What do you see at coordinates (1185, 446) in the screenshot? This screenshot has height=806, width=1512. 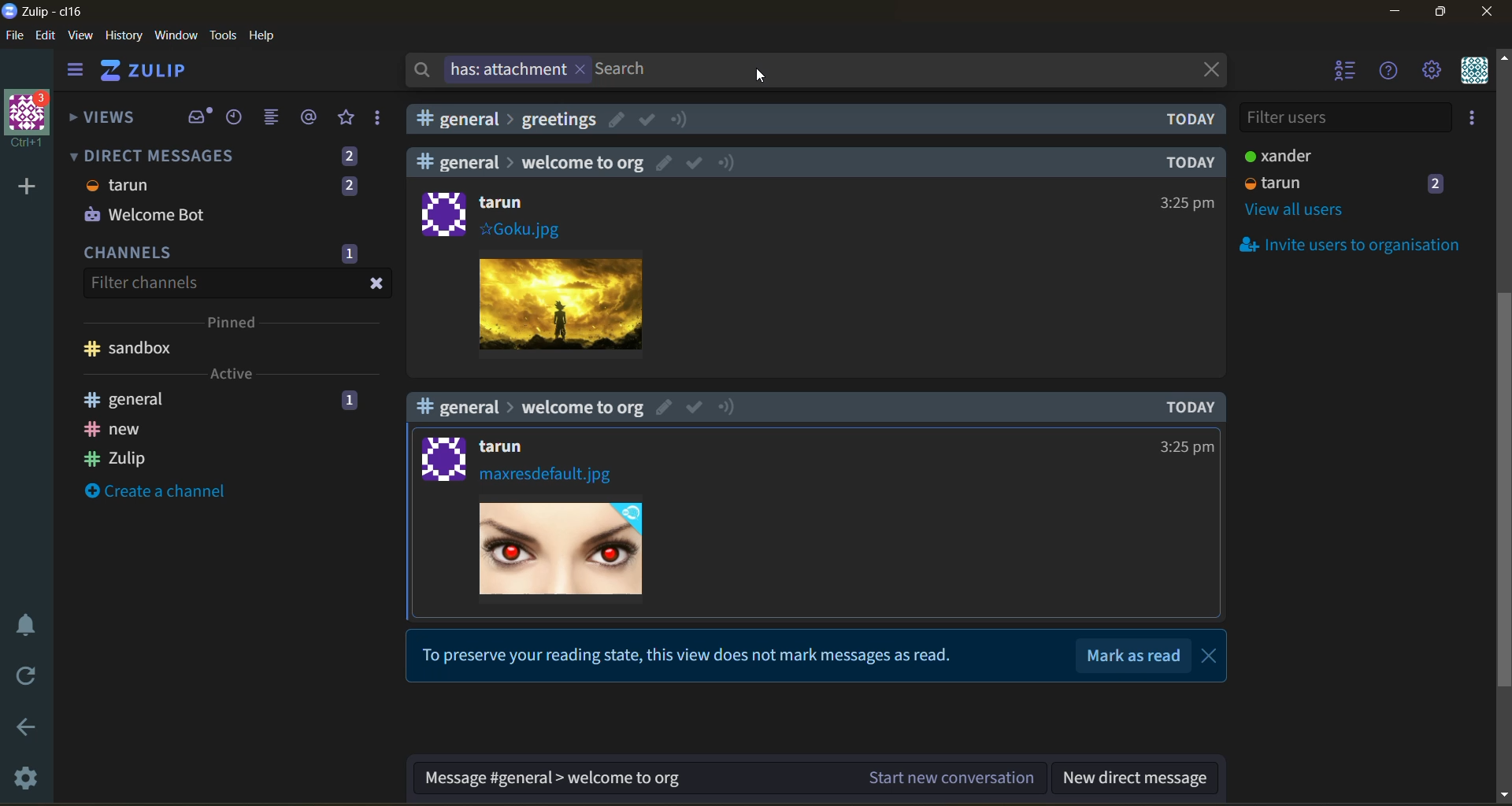 I see `3:25pm` at bounding box center [1185, 446].